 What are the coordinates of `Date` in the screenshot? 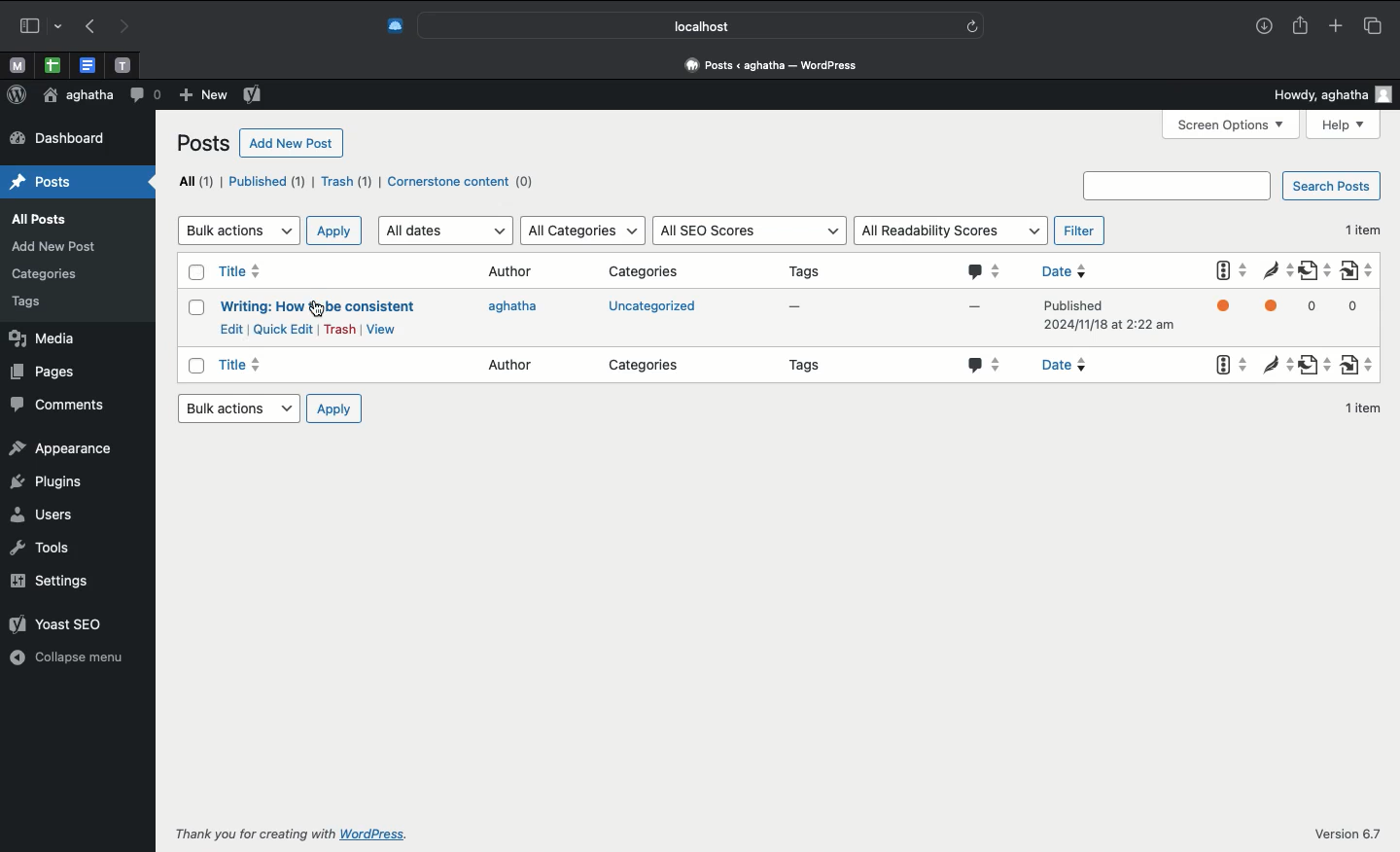 It's located at (1076, 365).